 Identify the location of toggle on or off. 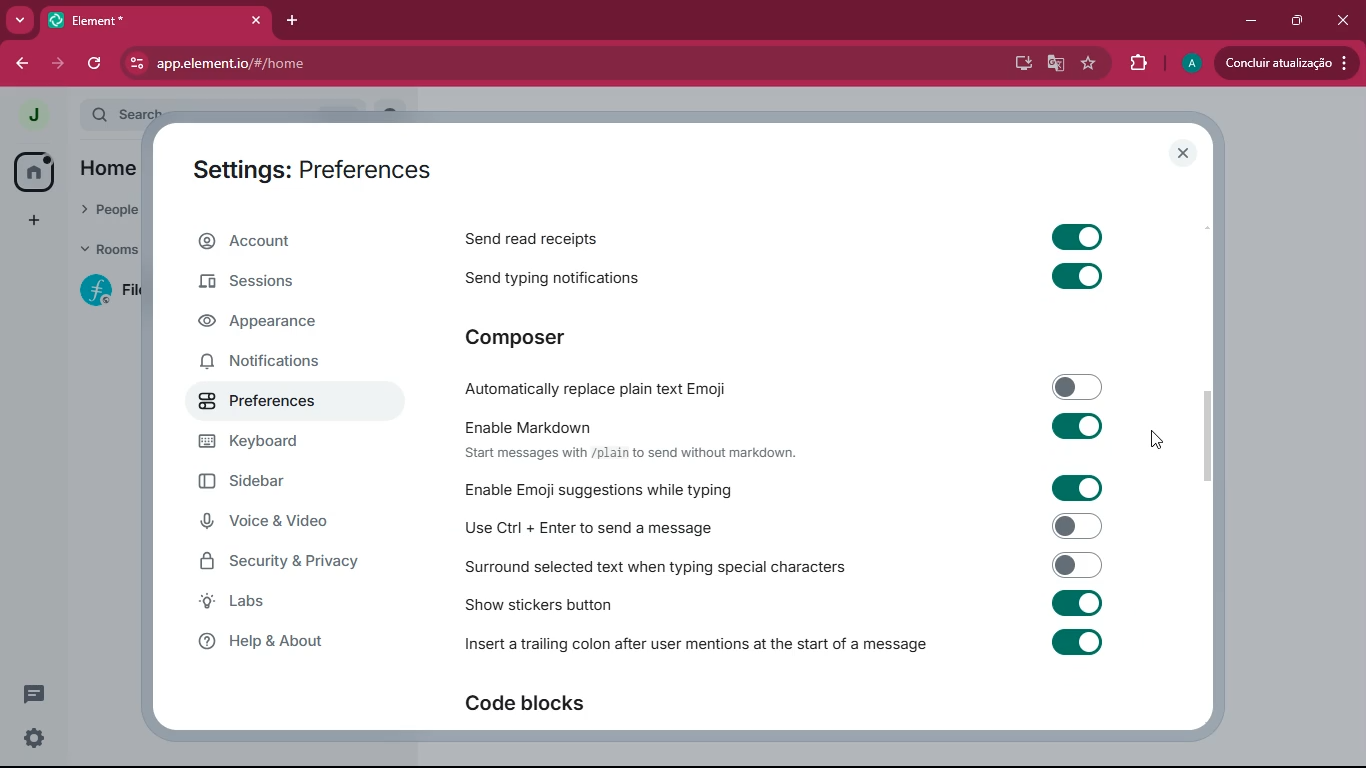
(1070, 424).